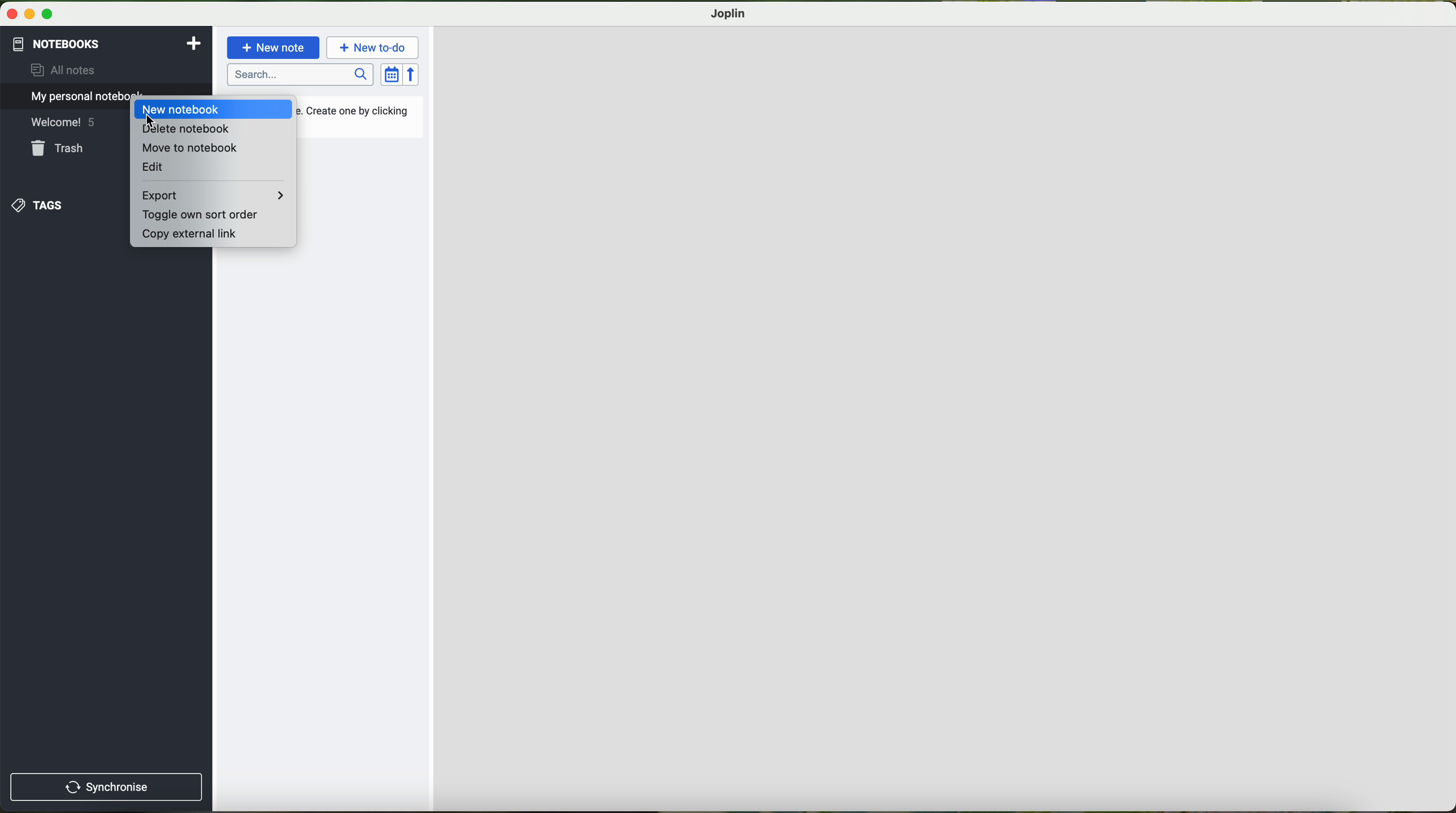 The height and width of the screenshot is (813, 1456). Describe the element at coordinates (374, 47) in the screenshot. I see `new to-do button` at that location.